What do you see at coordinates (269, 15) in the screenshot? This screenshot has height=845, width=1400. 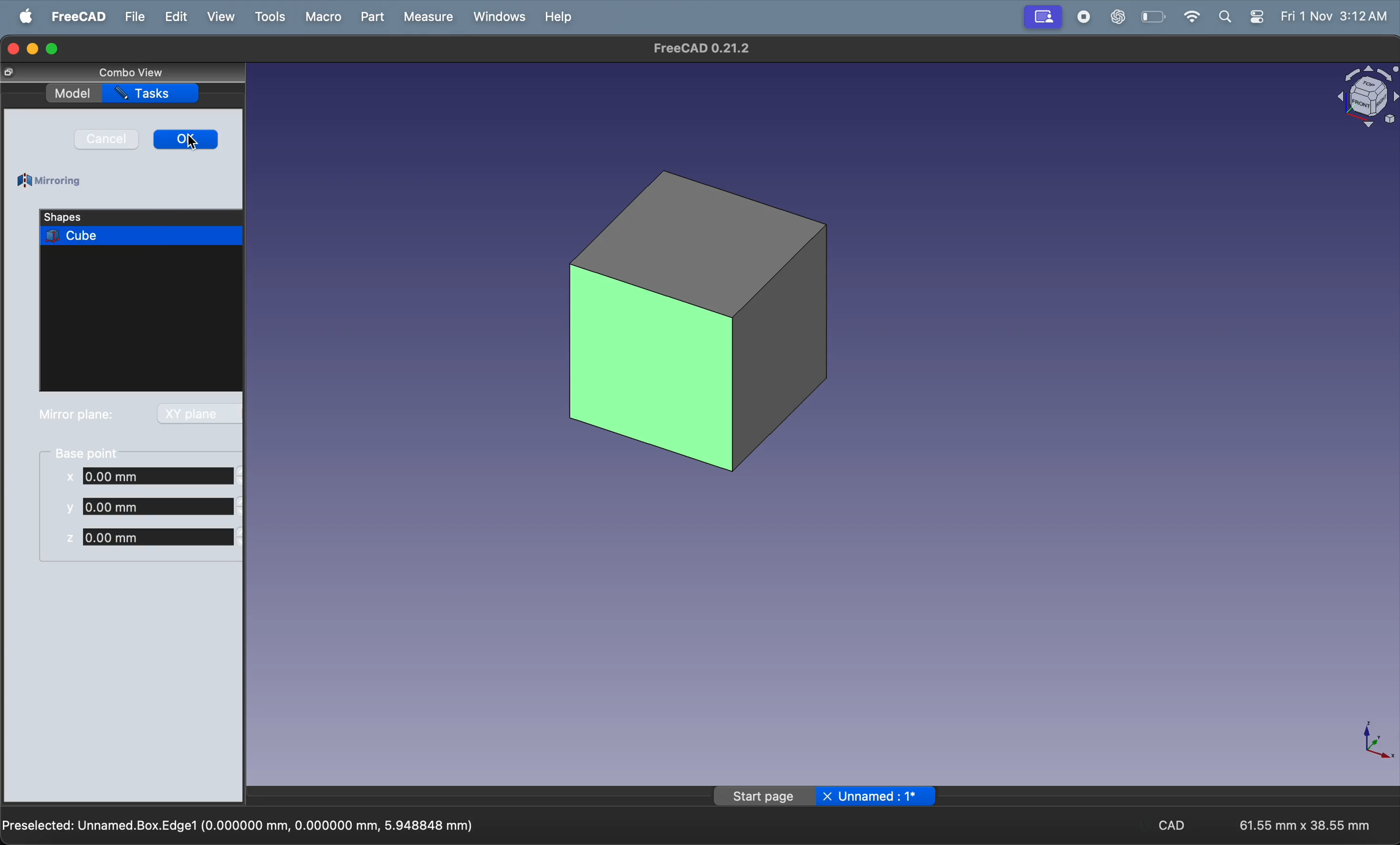 I see `tools` at bounding box center [269, 15].